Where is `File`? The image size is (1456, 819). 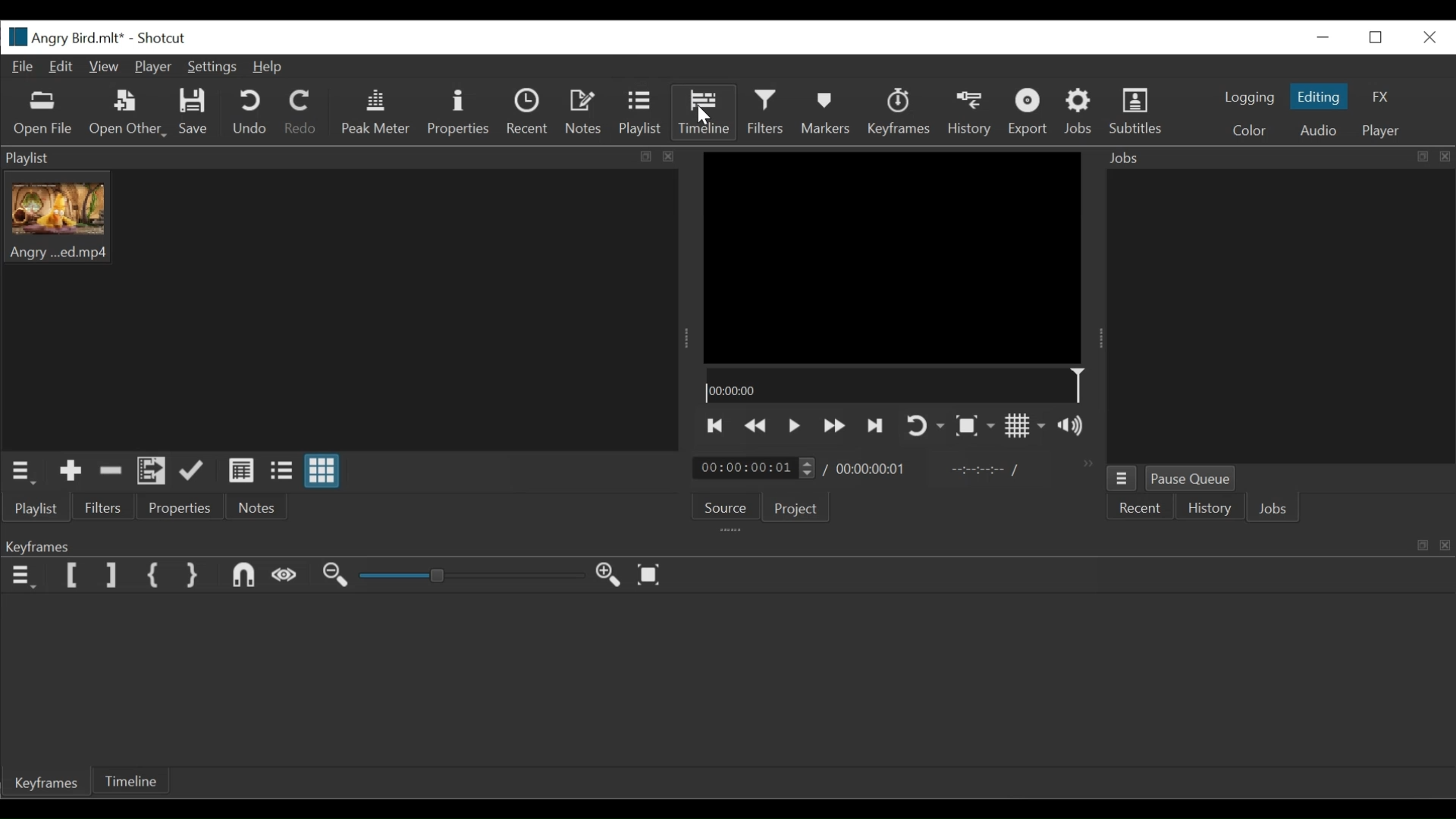
File is located at coordinates (21, 67).